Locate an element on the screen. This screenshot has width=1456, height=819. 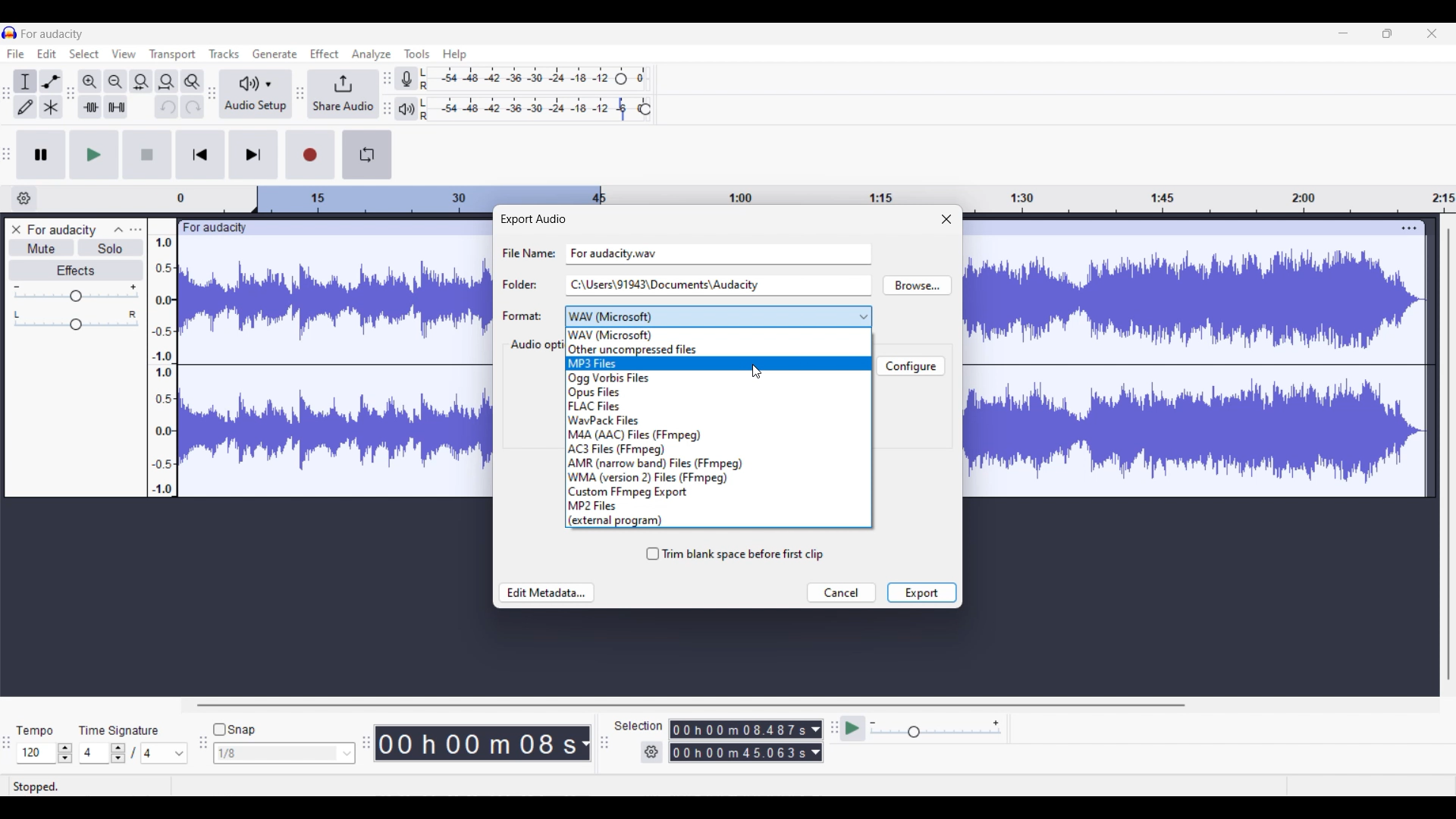
Custom FFmpeg Export is located at coordinates (718, 492).